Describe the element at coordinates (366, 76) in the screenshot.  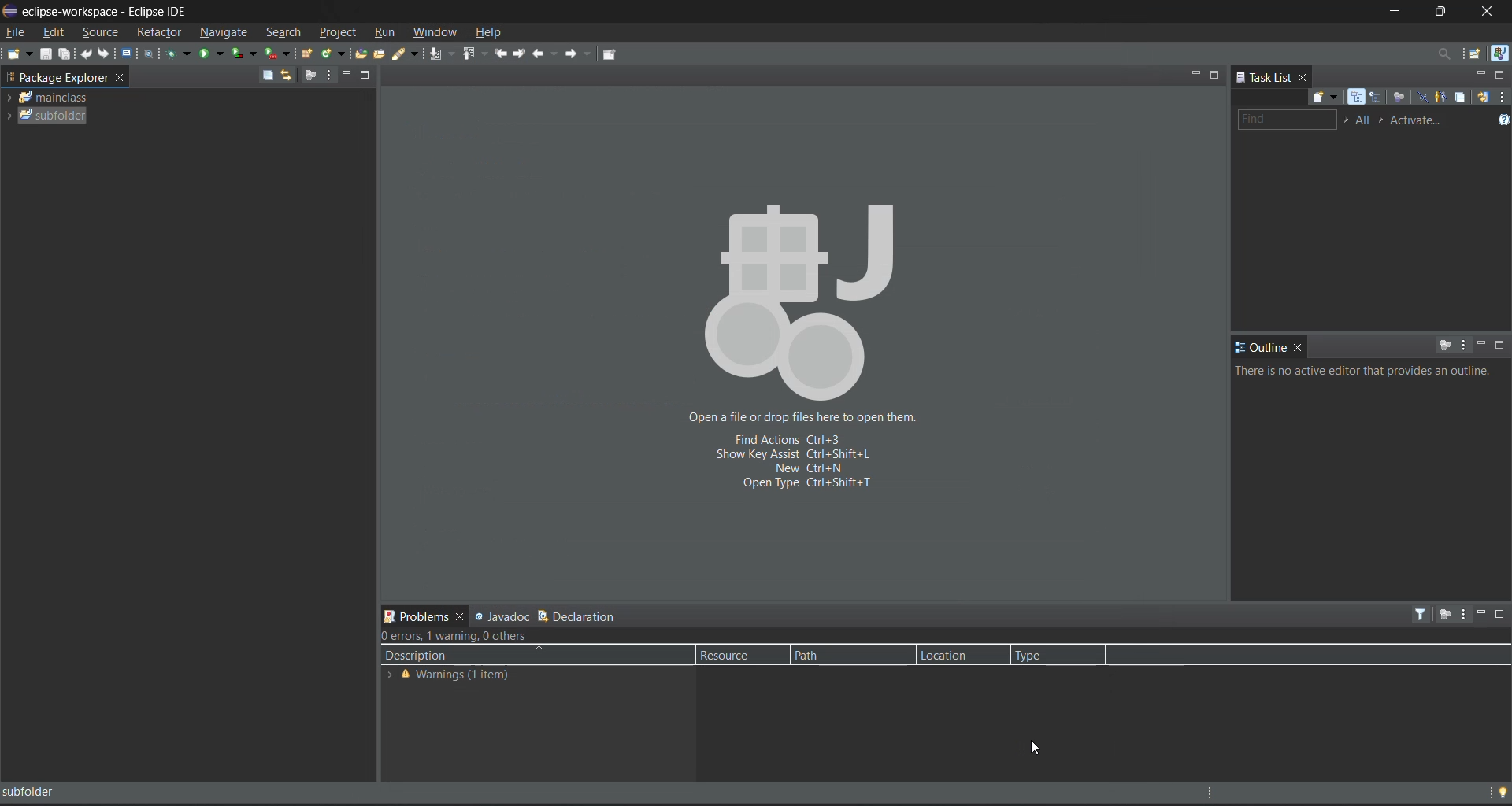
I see `maximize` at that location.